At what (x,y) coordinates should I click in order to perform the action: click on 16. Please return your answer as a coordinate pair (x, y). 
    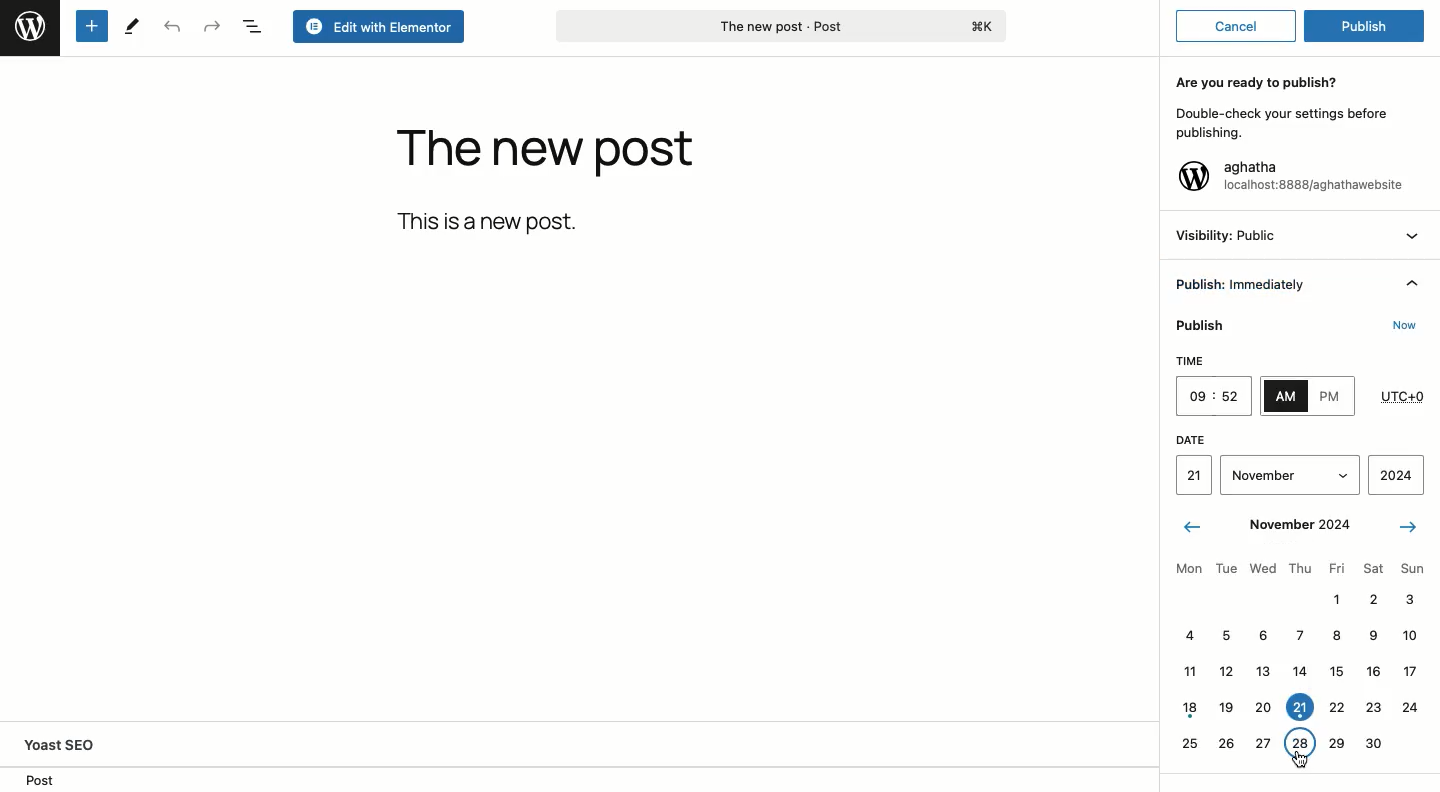
    Looking at the image, I should click on (1373, 671).